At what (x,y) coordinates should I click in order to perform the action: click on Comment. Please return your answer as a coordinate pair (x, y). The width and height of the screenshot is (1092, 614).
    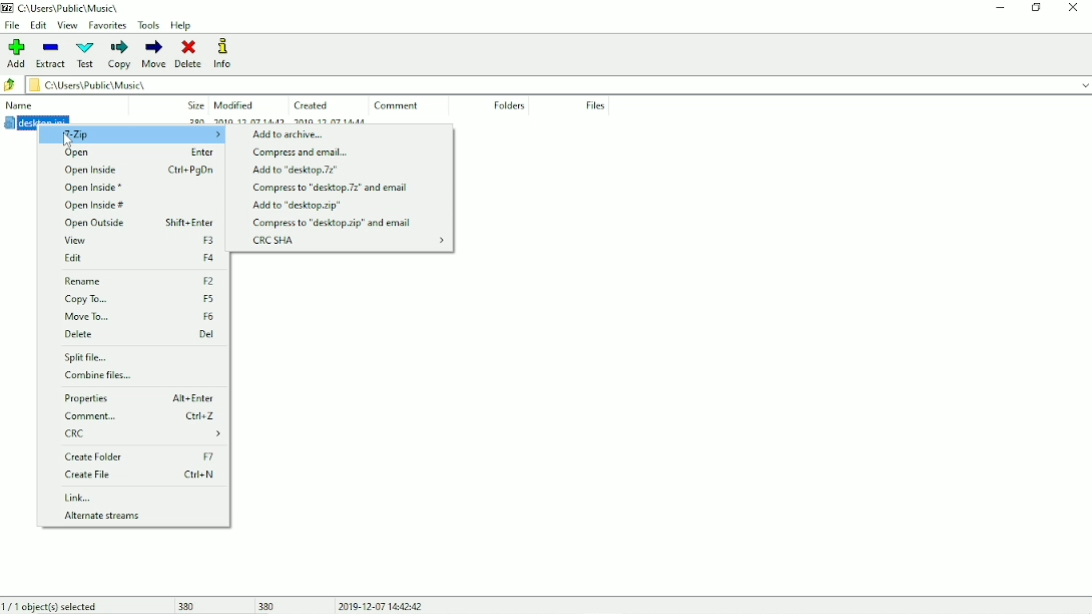
    Looking at the image, I should click on (140, 416).